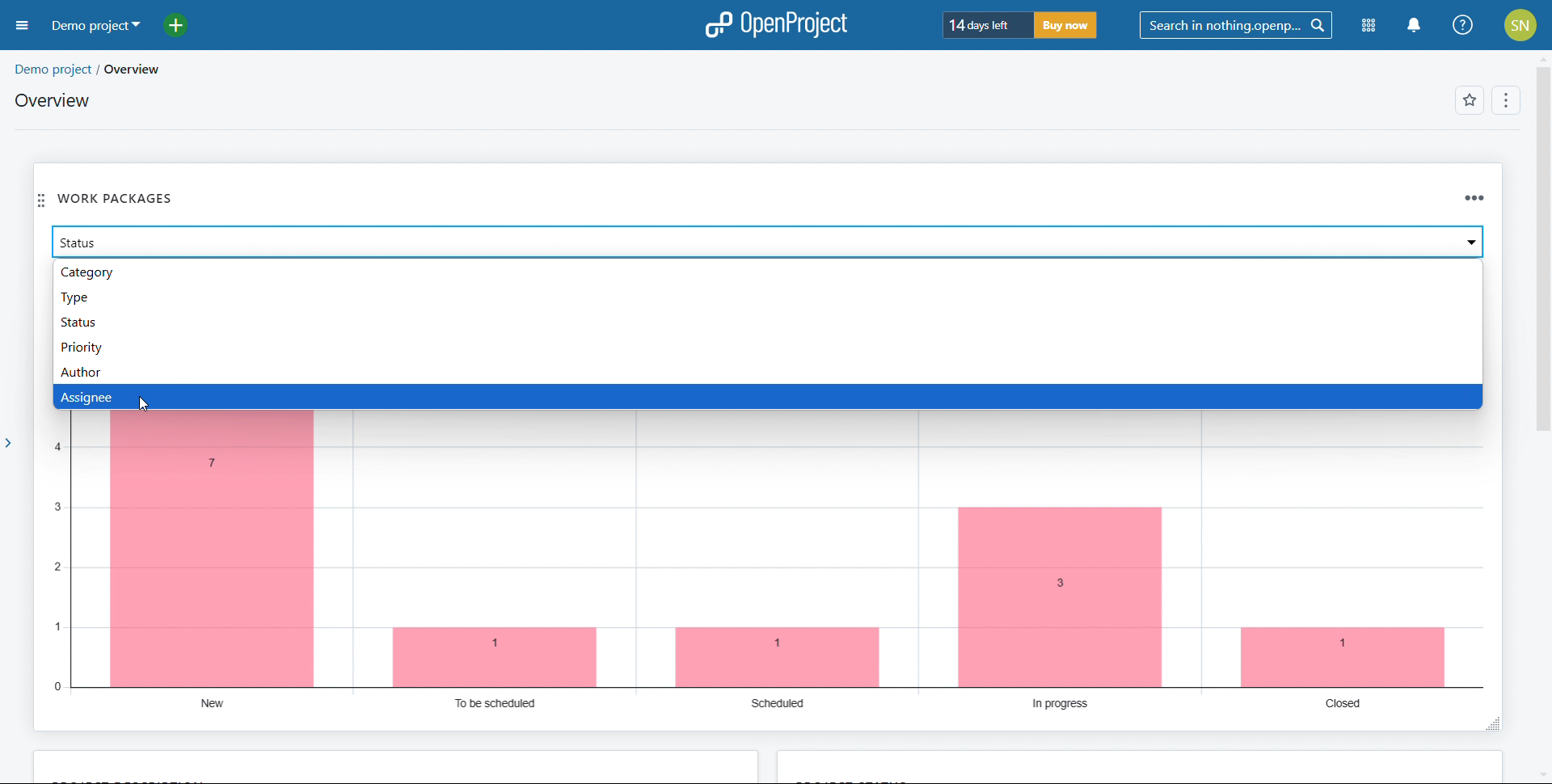 This screenshot has width=1552, height=784. Describe the element at coordinates (22, 26) in the screenshot. I see `open sidebar menu` at that location.